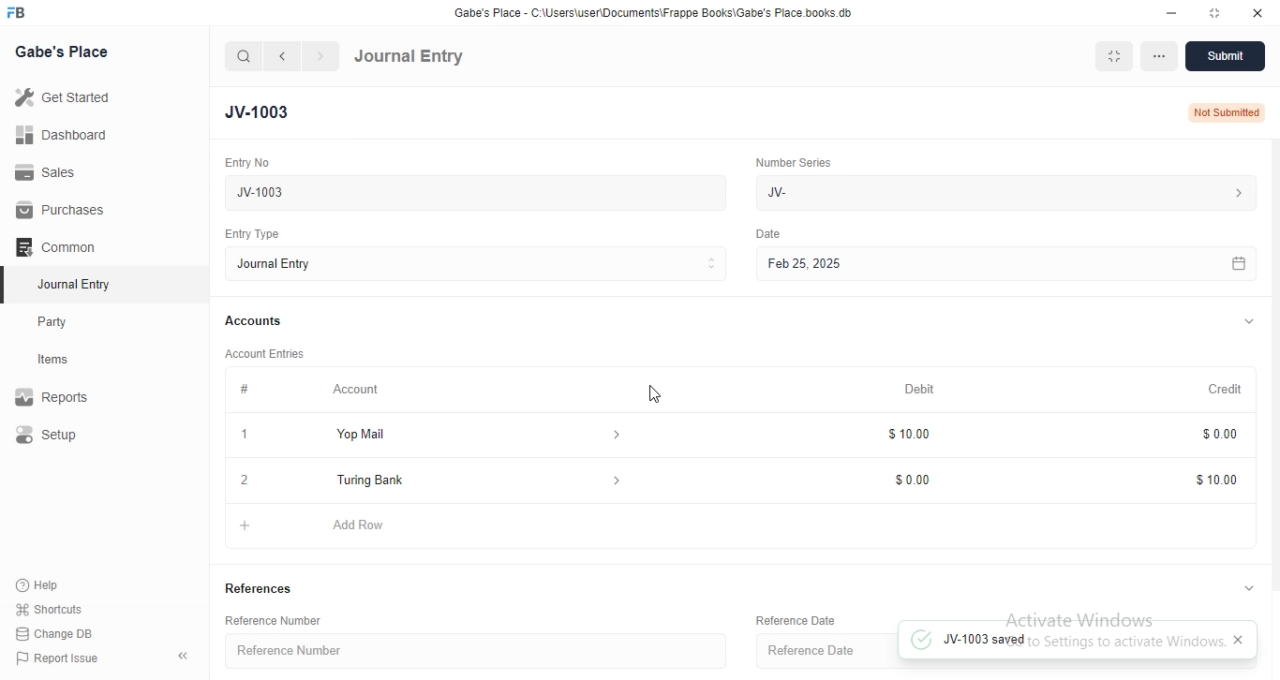 The height and width of the screenshot is (680, 1280). I want to click on Reference Date, so click(824, 648).